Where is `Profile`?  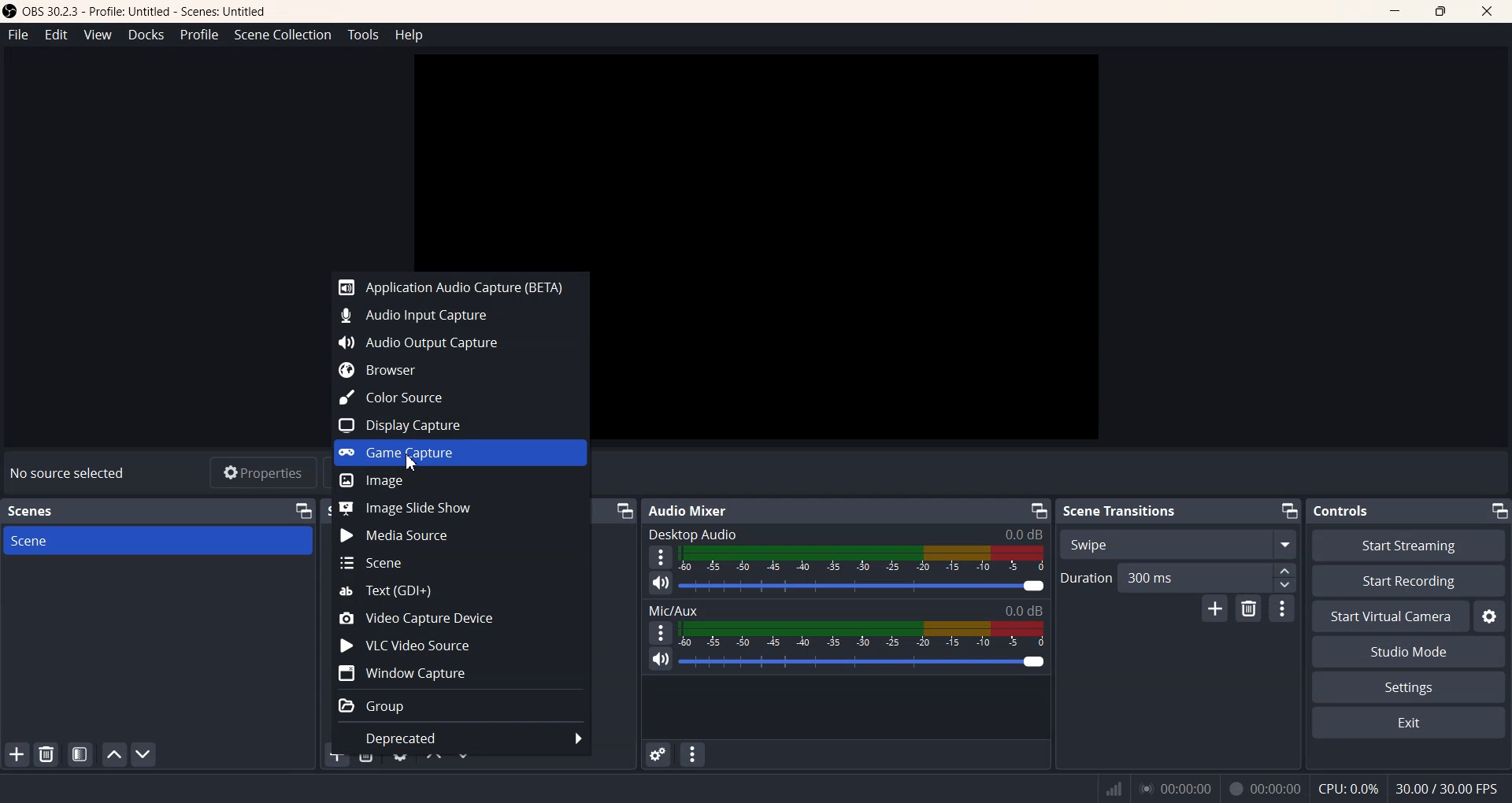
Profile is located at coordinates (199, 35).